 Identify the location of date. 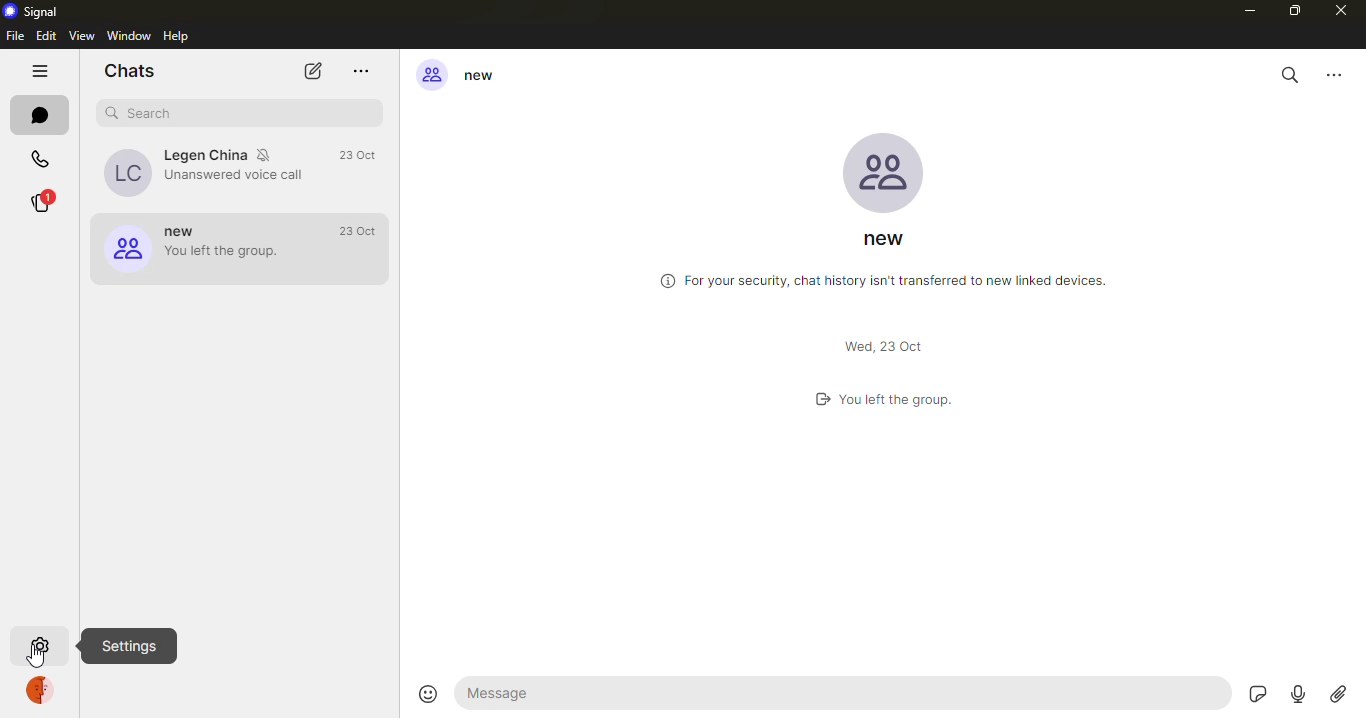
(884, 346).